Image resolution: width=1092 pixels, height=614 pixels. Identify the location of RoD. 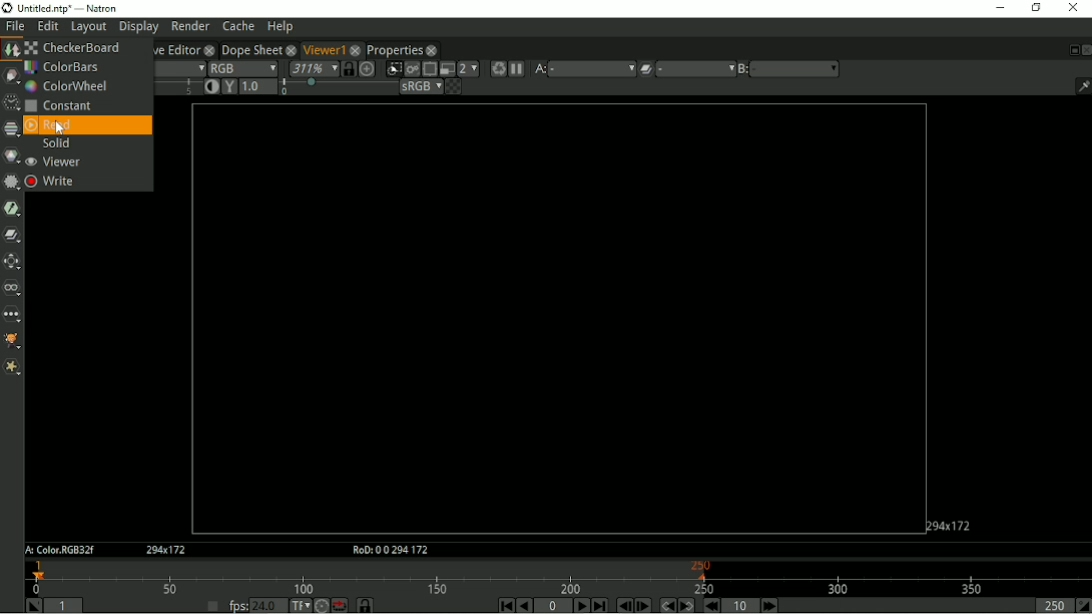
(387, 550).